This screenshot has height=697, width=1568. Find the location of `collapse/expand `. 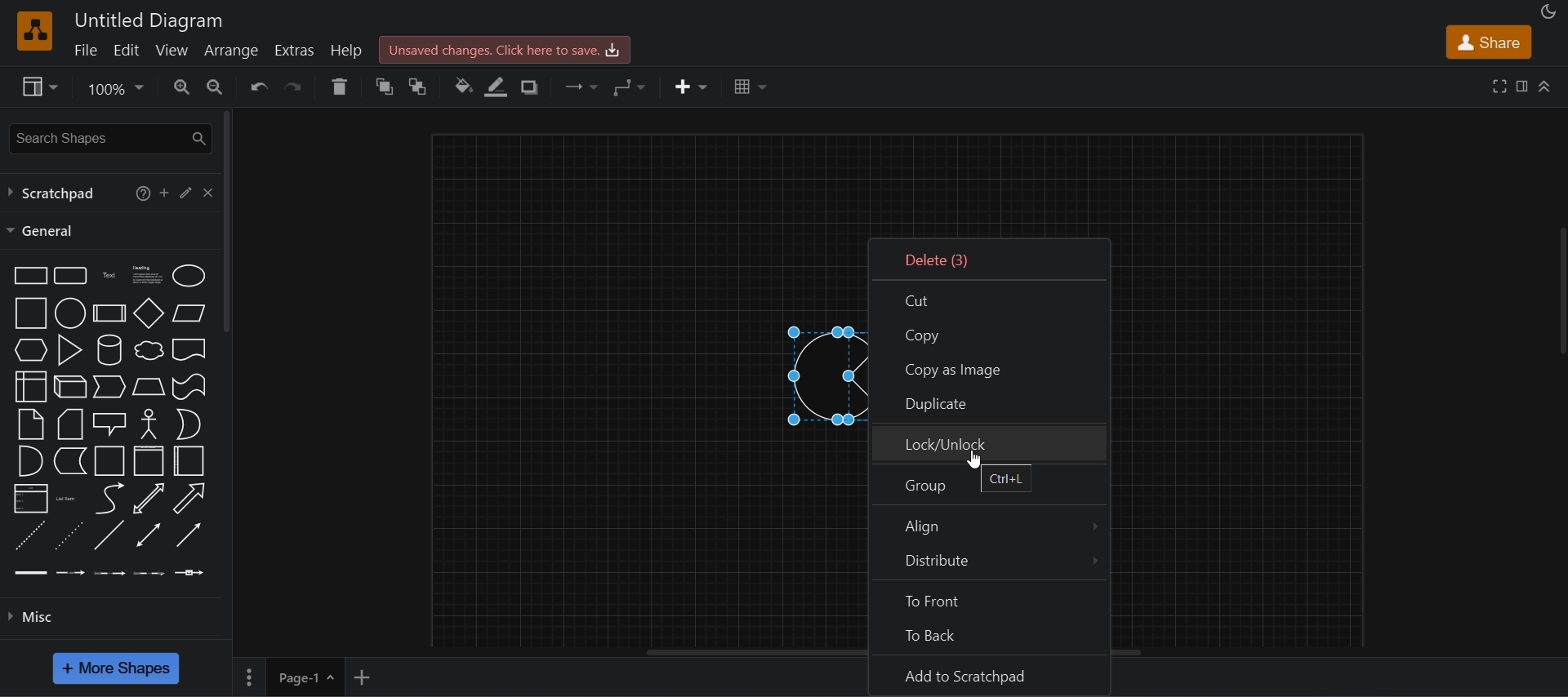

collapse/expand  is located at coordinates (1546, 85).